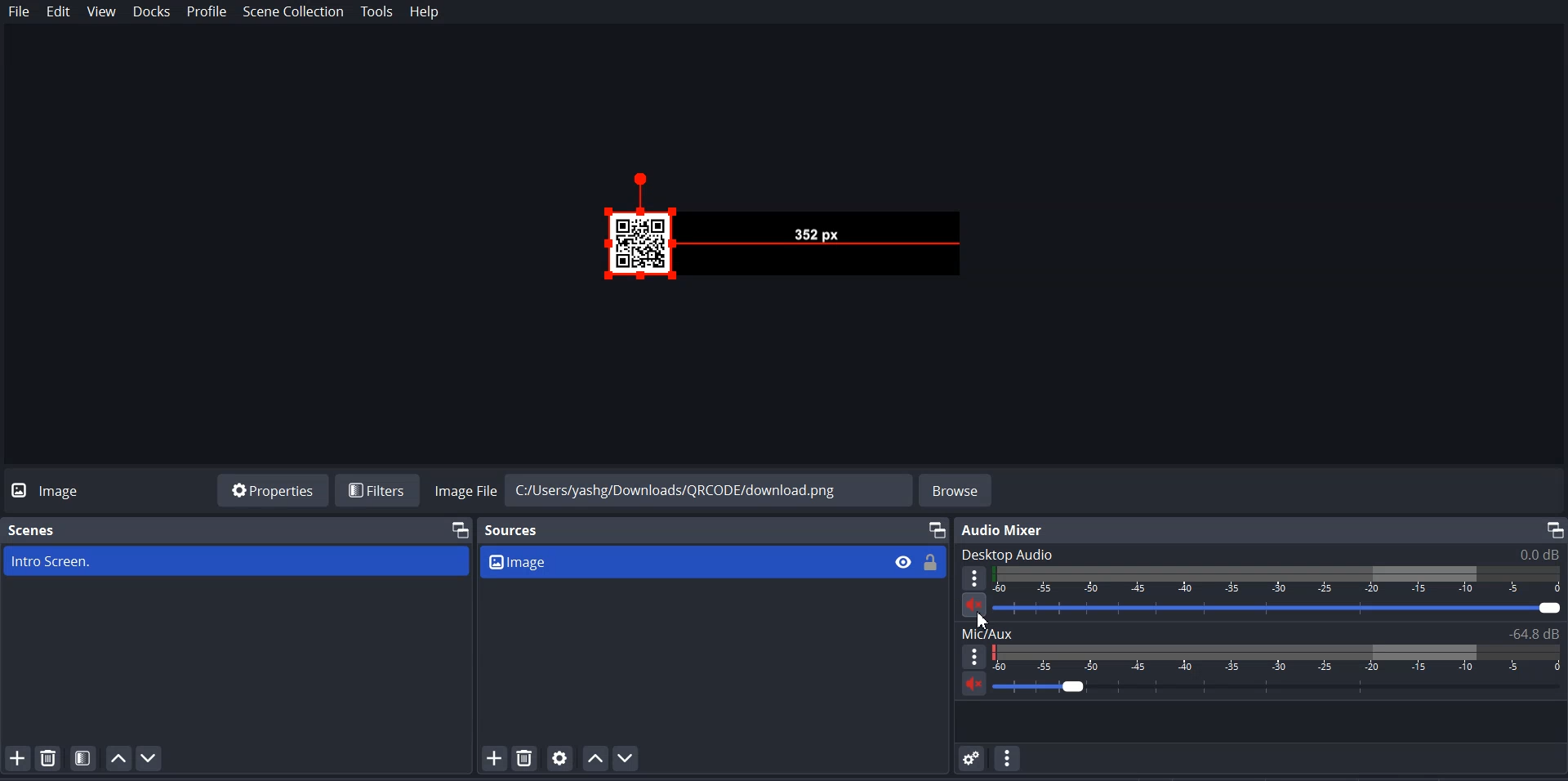  Describe the element at coordinates (17, 757) in the screenshot. I see `Add Scene` at that location.